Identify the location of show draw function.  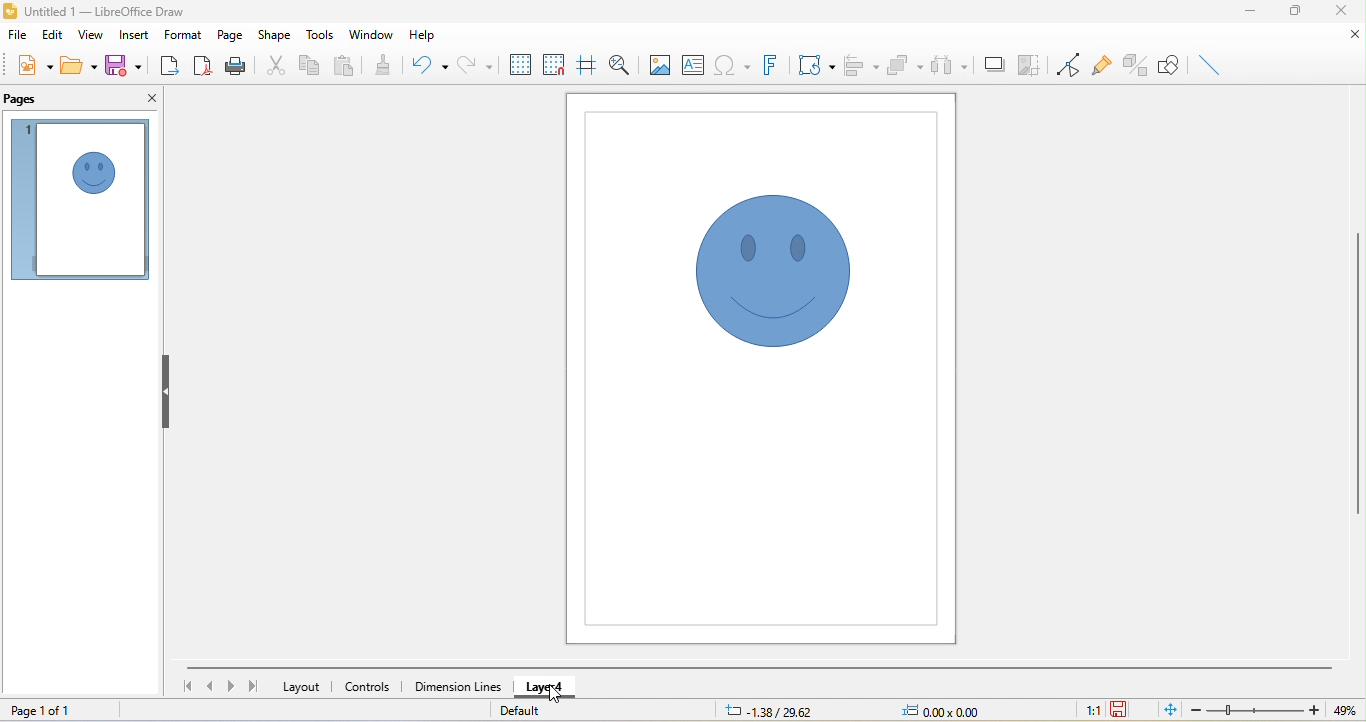
(1167, 65).